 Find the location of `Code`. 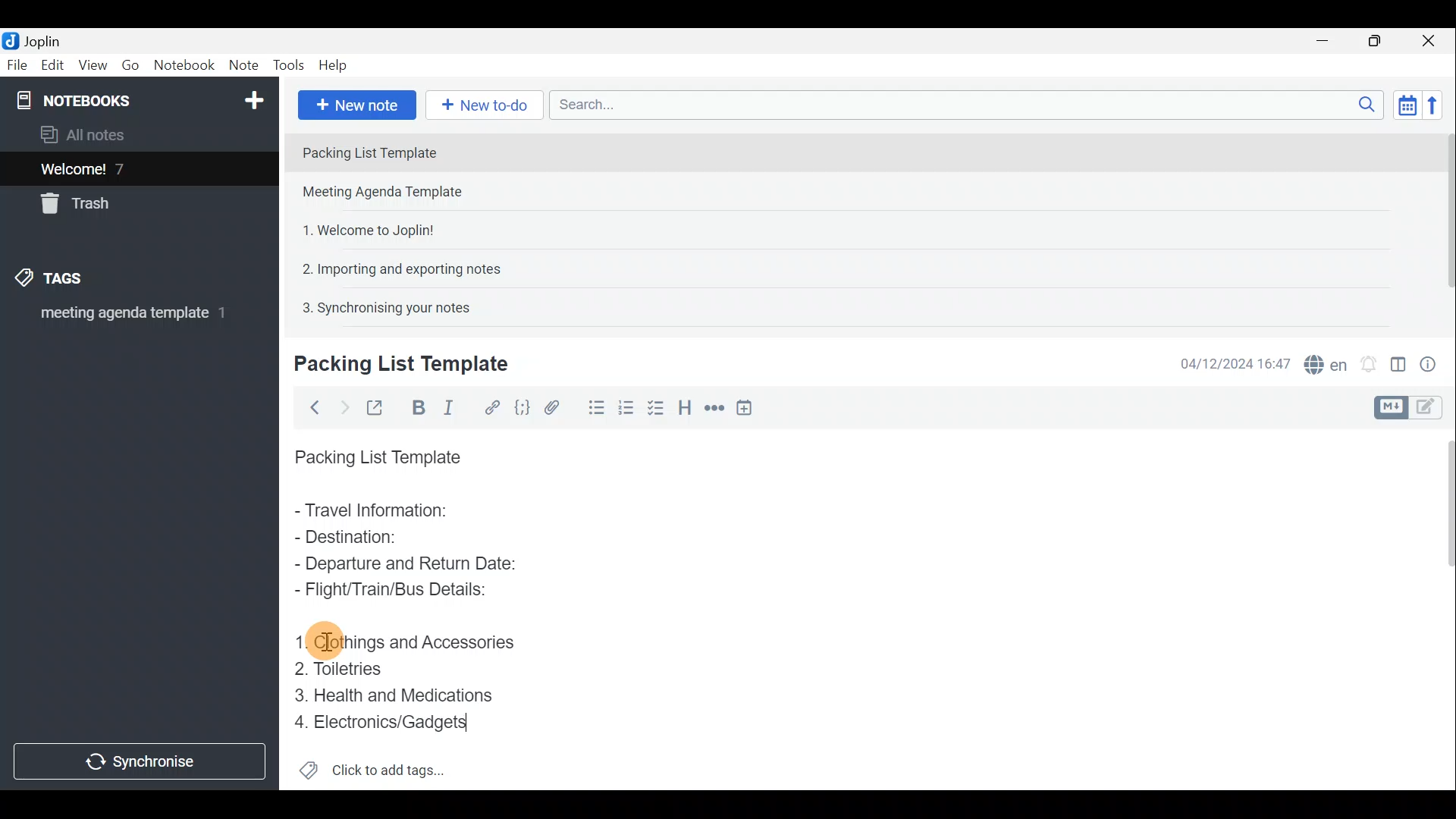

Code is located at coordinates (522, 406).